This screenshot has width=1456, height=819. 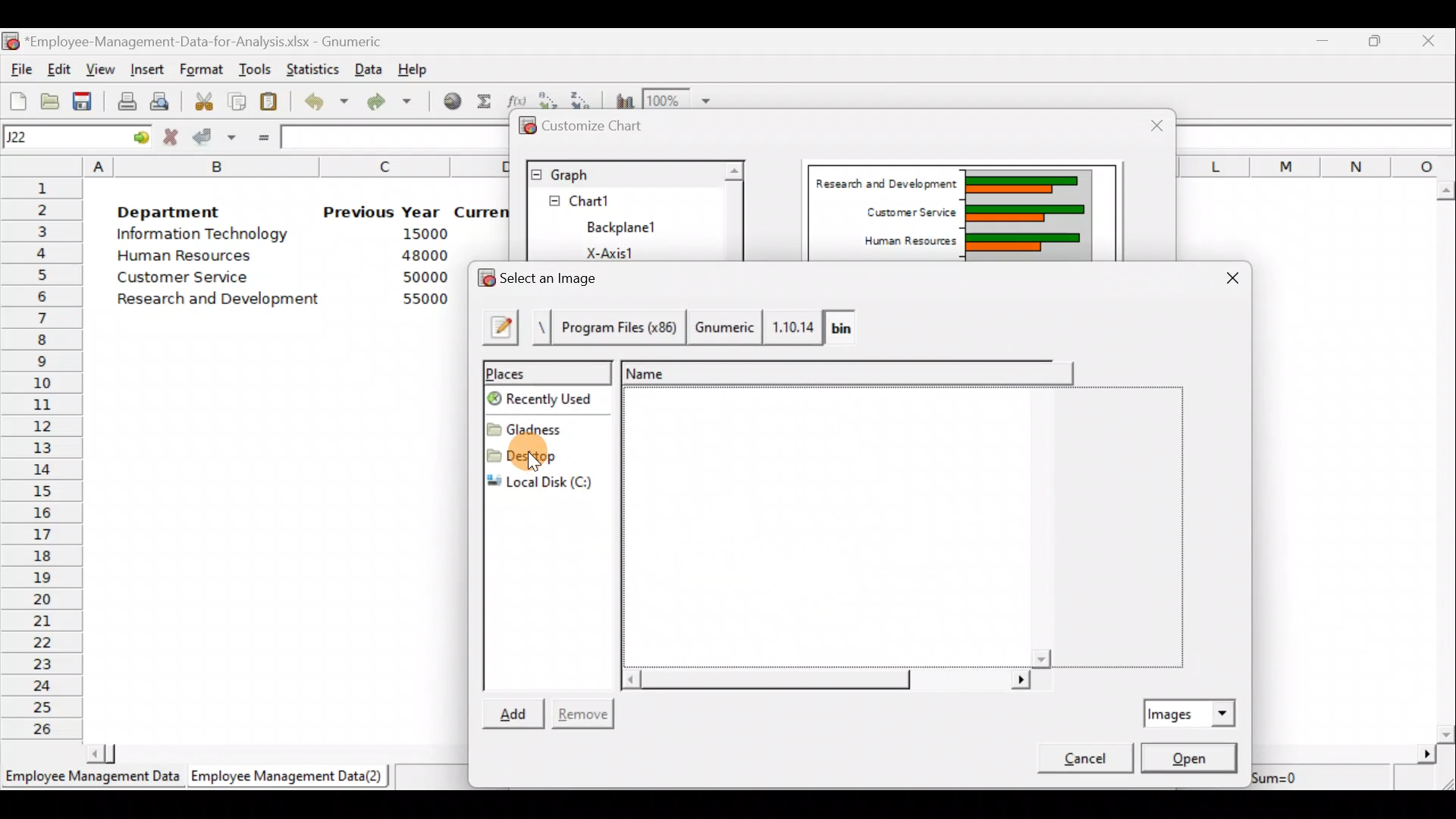 What do you see at coordinates (591, 127) in the screenshot?
I see `Customize chart` at bounding box center [591, 127].